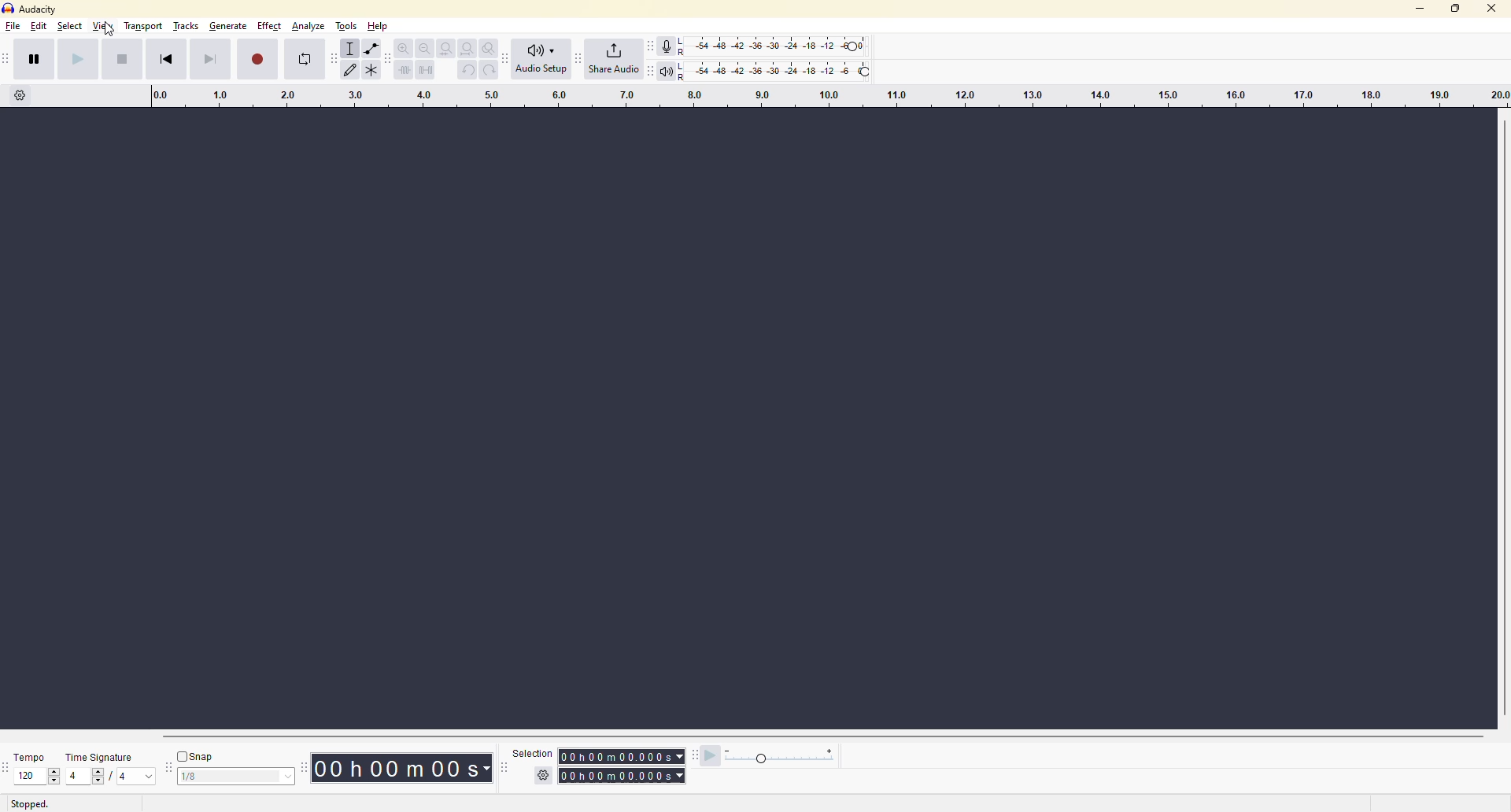 Image resolution: width=1511 pixels, height=812 pixels. What do you see at coordinates (268, 30) in the screenshot?
I see `effect` at bounding box center [268, 30].